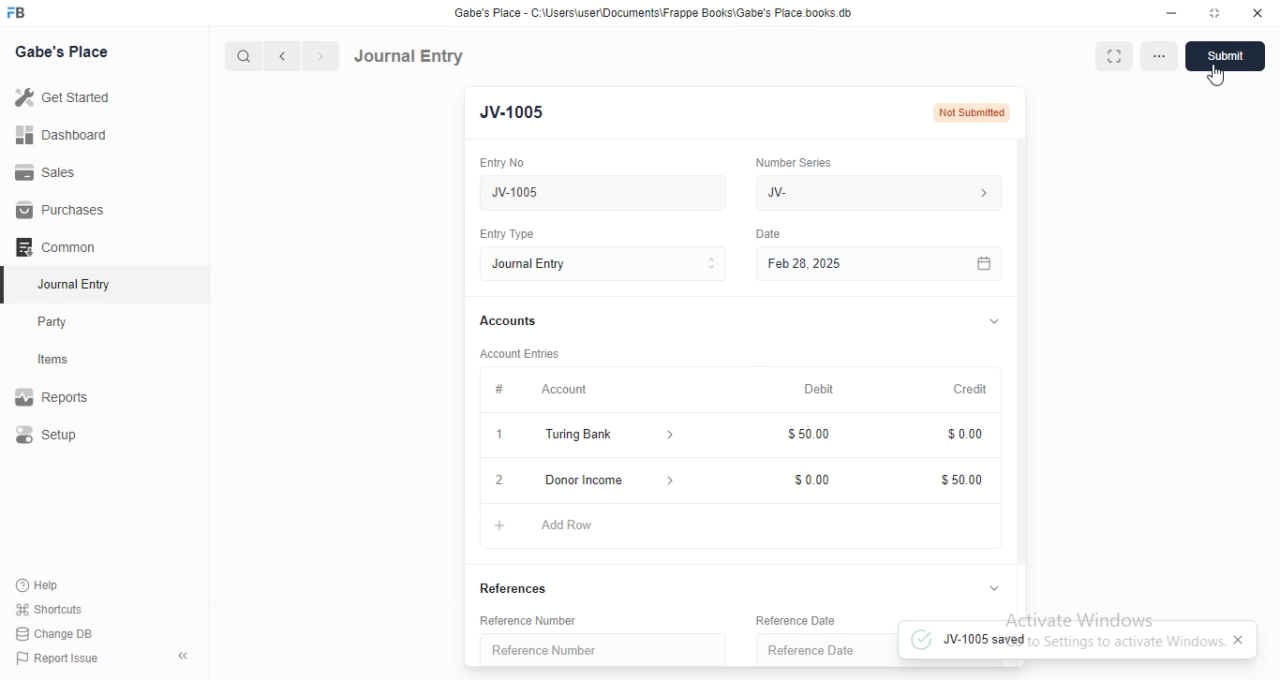 The width and height of the screenshot is (1280, 680). What do you see at coordinates (318, 57) in the screenshot?
I see `next` at bounding box center [318, 57].